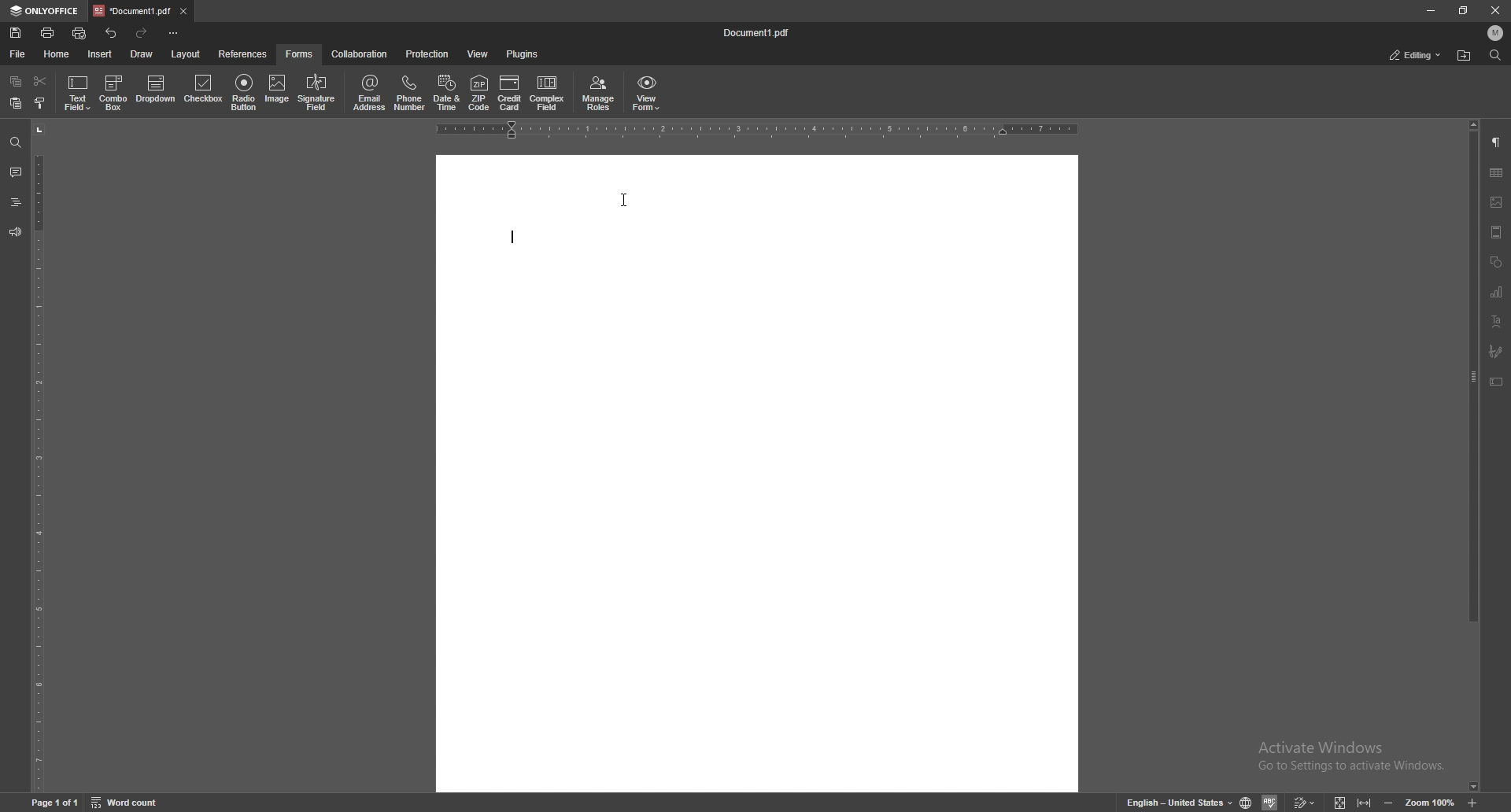 The height and width of the screenshot is (812, 1511). What do you see at coordinates (1272, 800) in the screenshot?
I see `spell check` at bounding box center [1272, 800].